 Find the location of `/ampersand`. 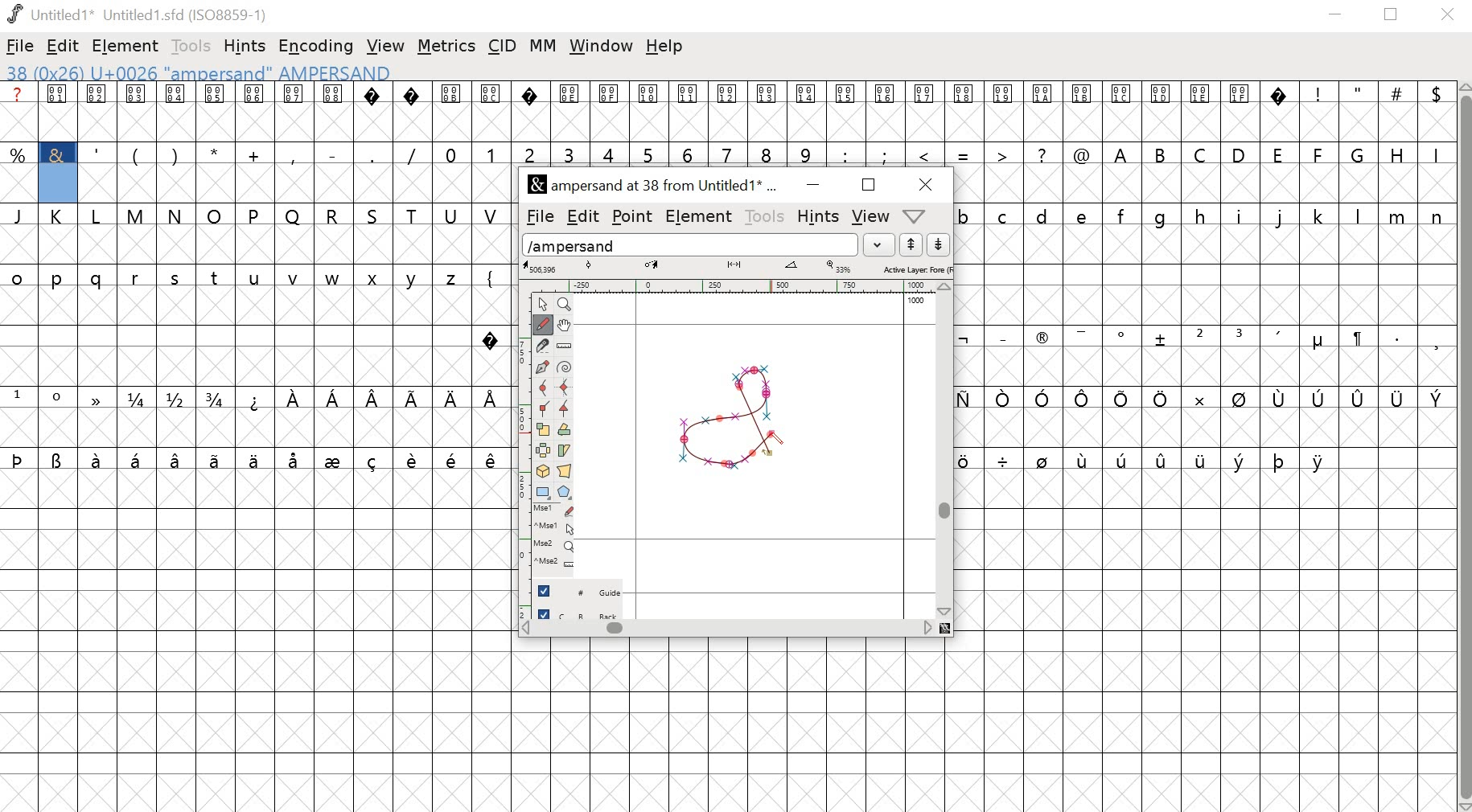

/ampersand is located at coordinates (691, 243).